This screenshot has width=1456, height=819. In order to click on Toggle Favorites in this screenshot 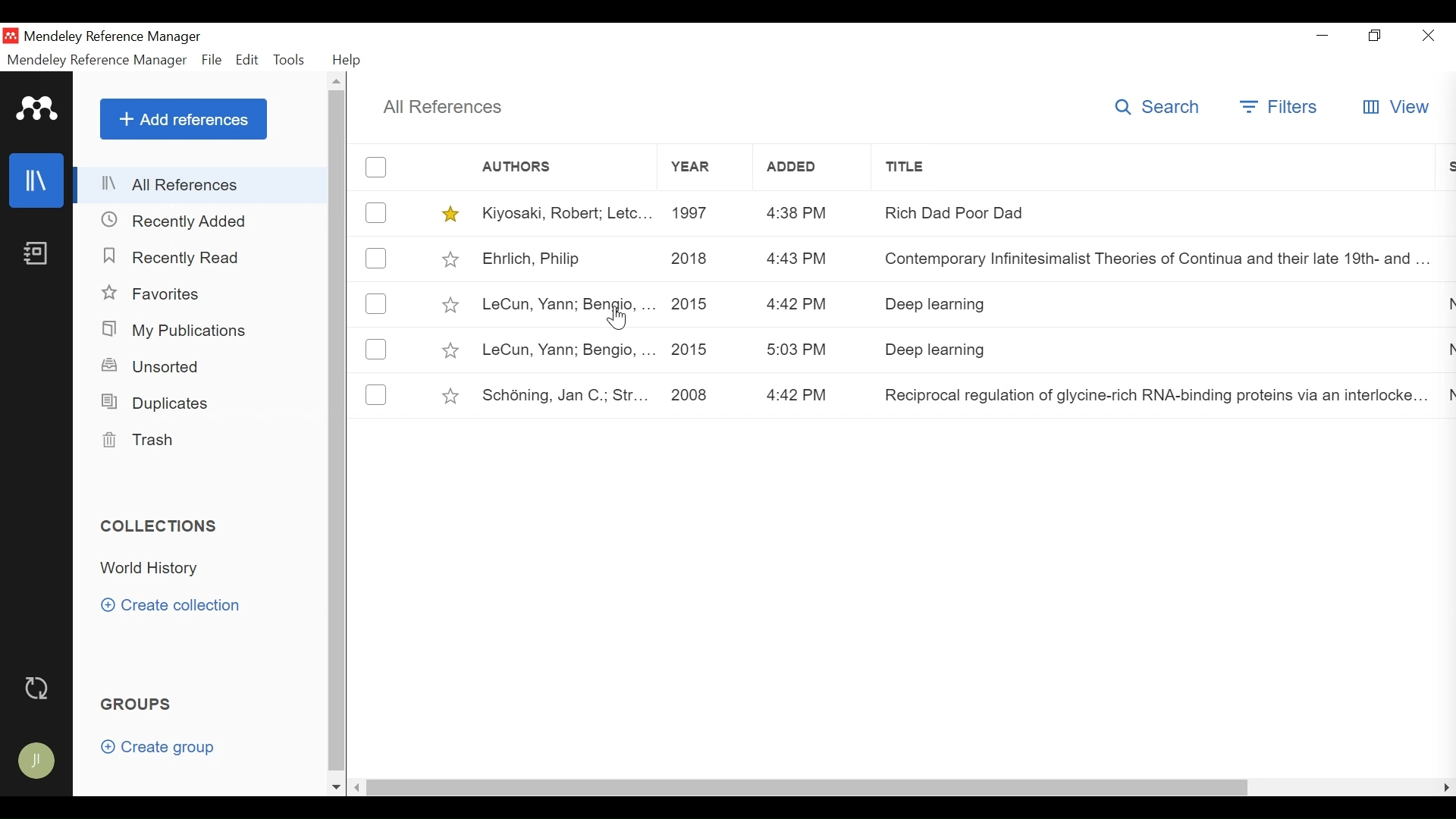, I will do `click(450, 259)`.